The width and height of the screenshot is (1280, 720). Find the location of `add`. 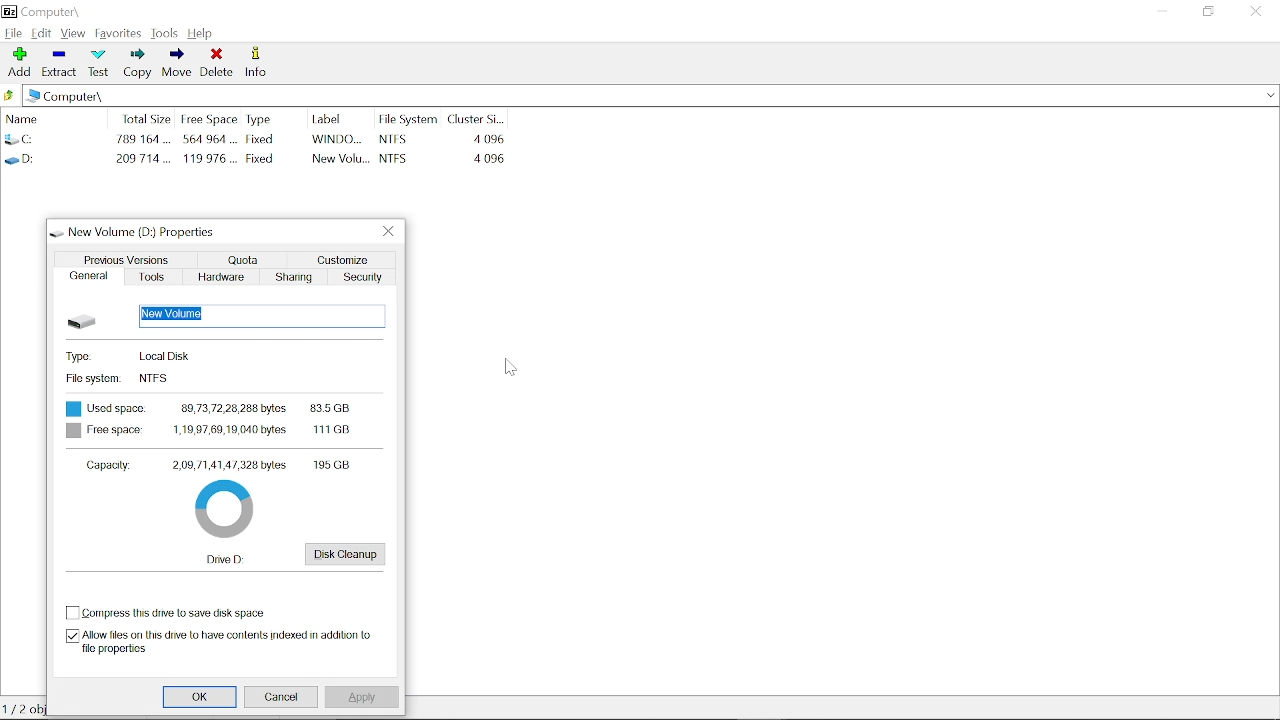

add is located at coordinates (18, 61).